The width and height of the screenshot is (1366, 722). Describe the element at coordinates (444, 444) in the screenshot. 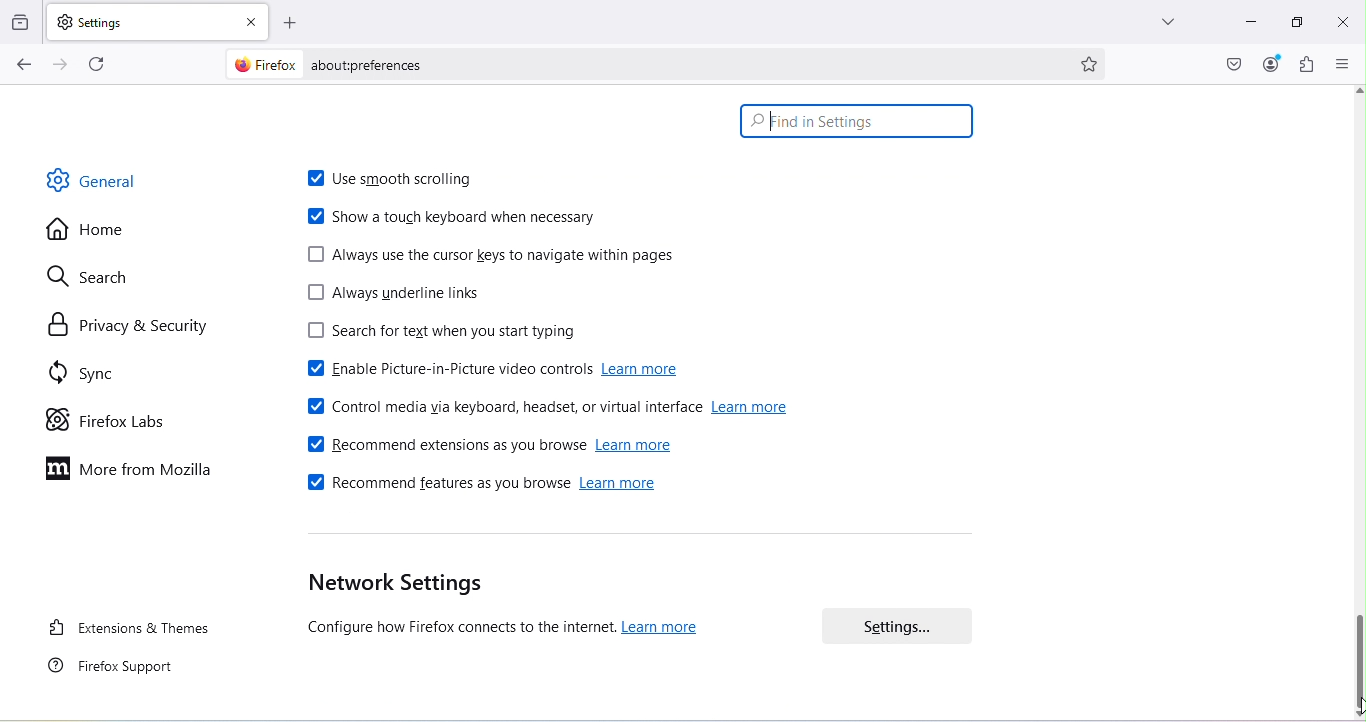

I see `Recommend extensions as you browse` at that location.